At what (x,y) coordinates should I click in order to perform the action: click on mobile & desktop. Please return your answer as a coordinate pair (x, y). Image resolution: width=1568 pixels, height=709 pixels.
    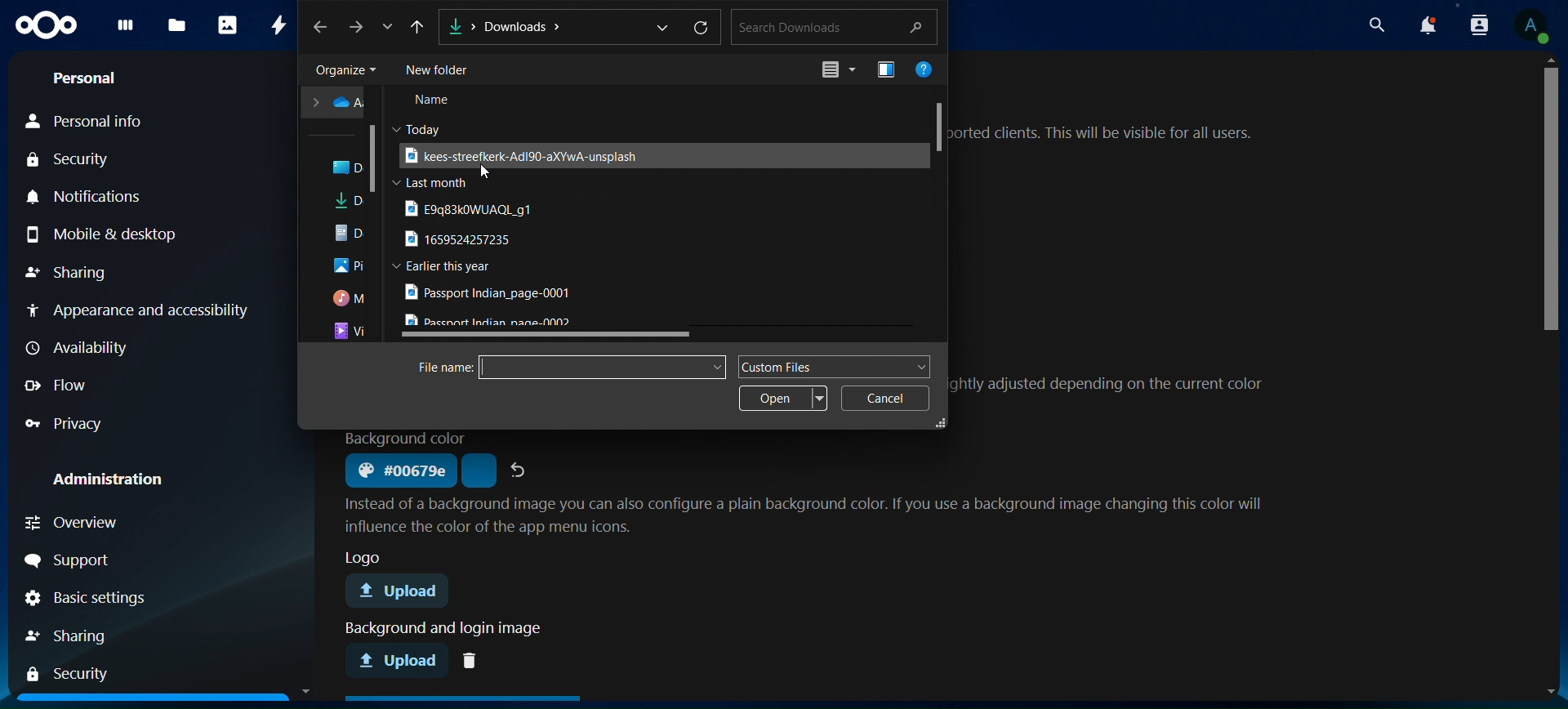
    Looking at the image, I should click on (126, 234).